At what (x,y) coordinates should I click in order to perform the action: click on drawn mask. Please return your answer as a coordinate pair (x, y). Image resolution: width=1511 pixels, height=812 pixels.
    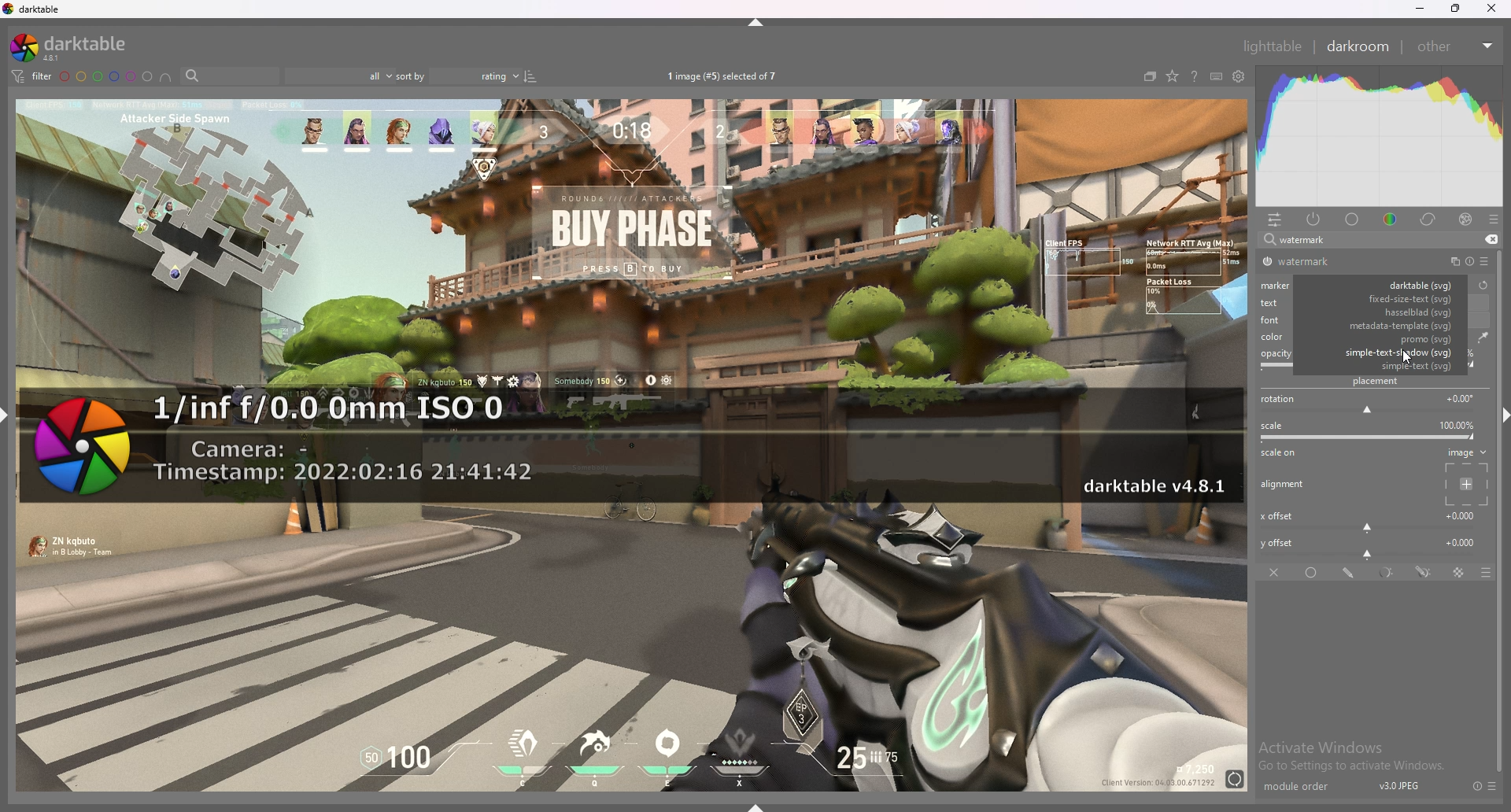
    Looking at the image, I should click on (1350, 573).